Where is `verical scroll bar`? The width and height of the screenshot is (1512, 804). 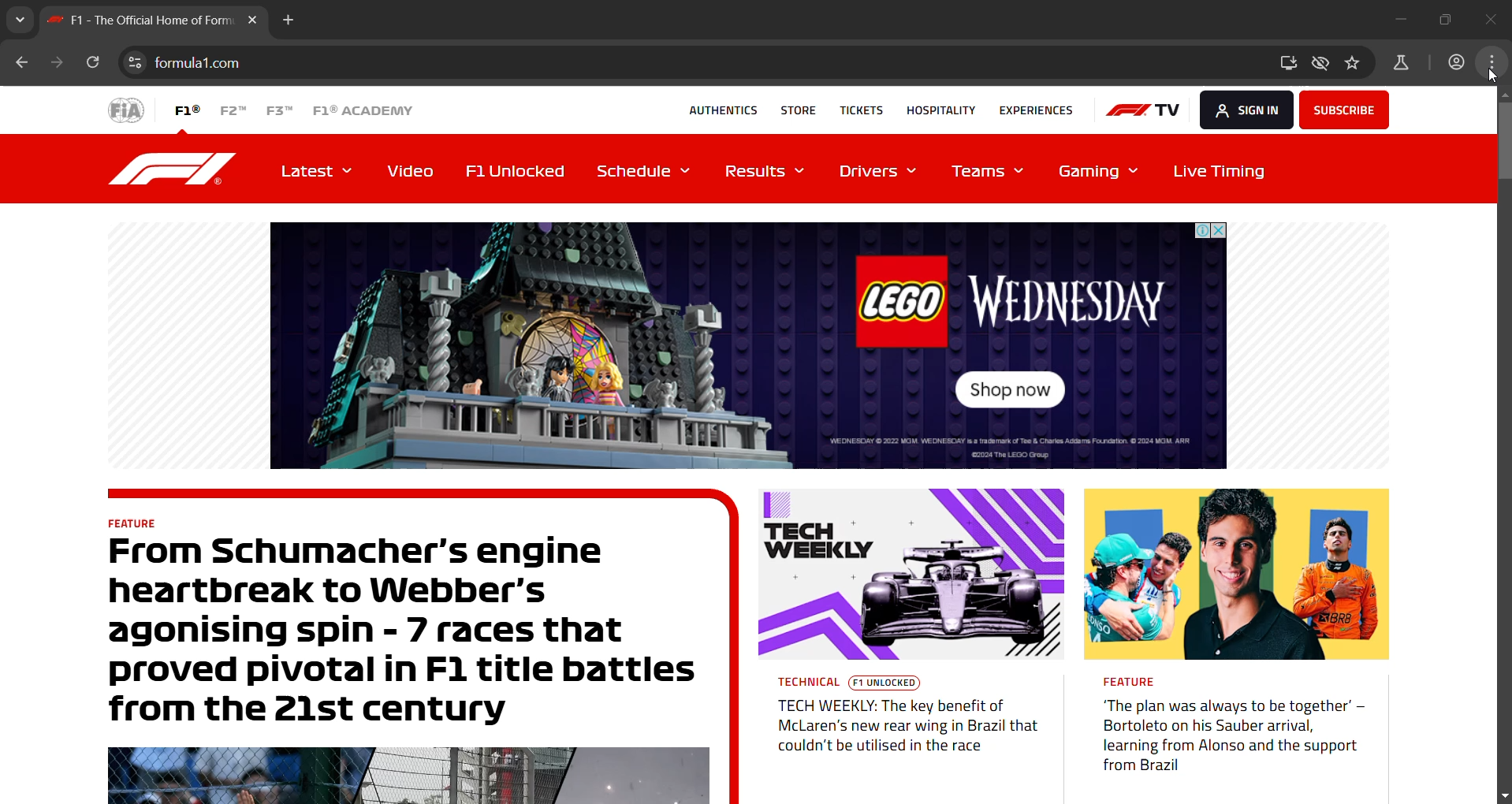 verical scroll bar is located at coordinates (1503, 143).